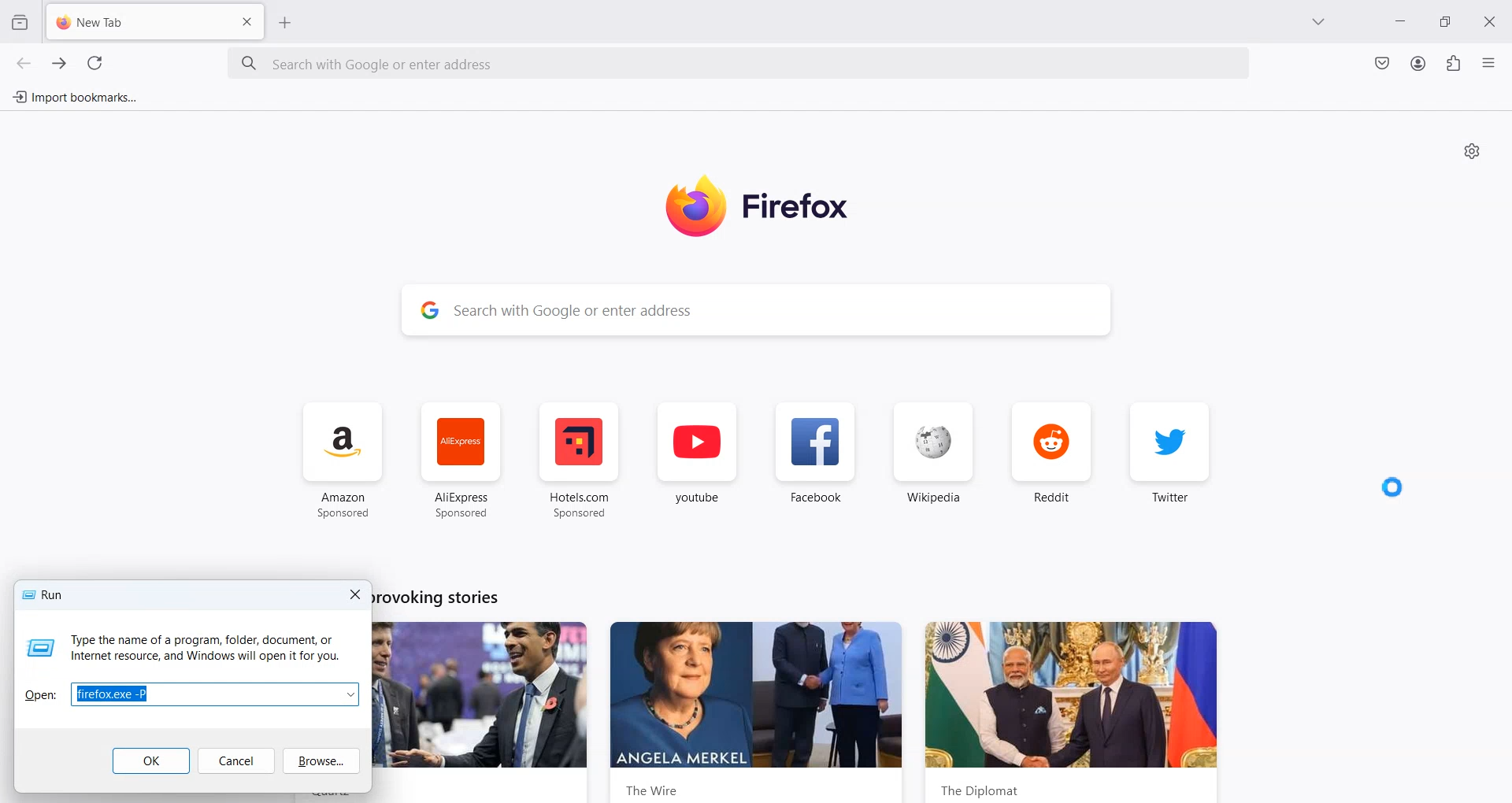 This screenshot has width=1512, height=803. What do you see at coordinates (1071, 712) in the screenshot?
I see `the diplomat` at bounding box center [1071, 712].